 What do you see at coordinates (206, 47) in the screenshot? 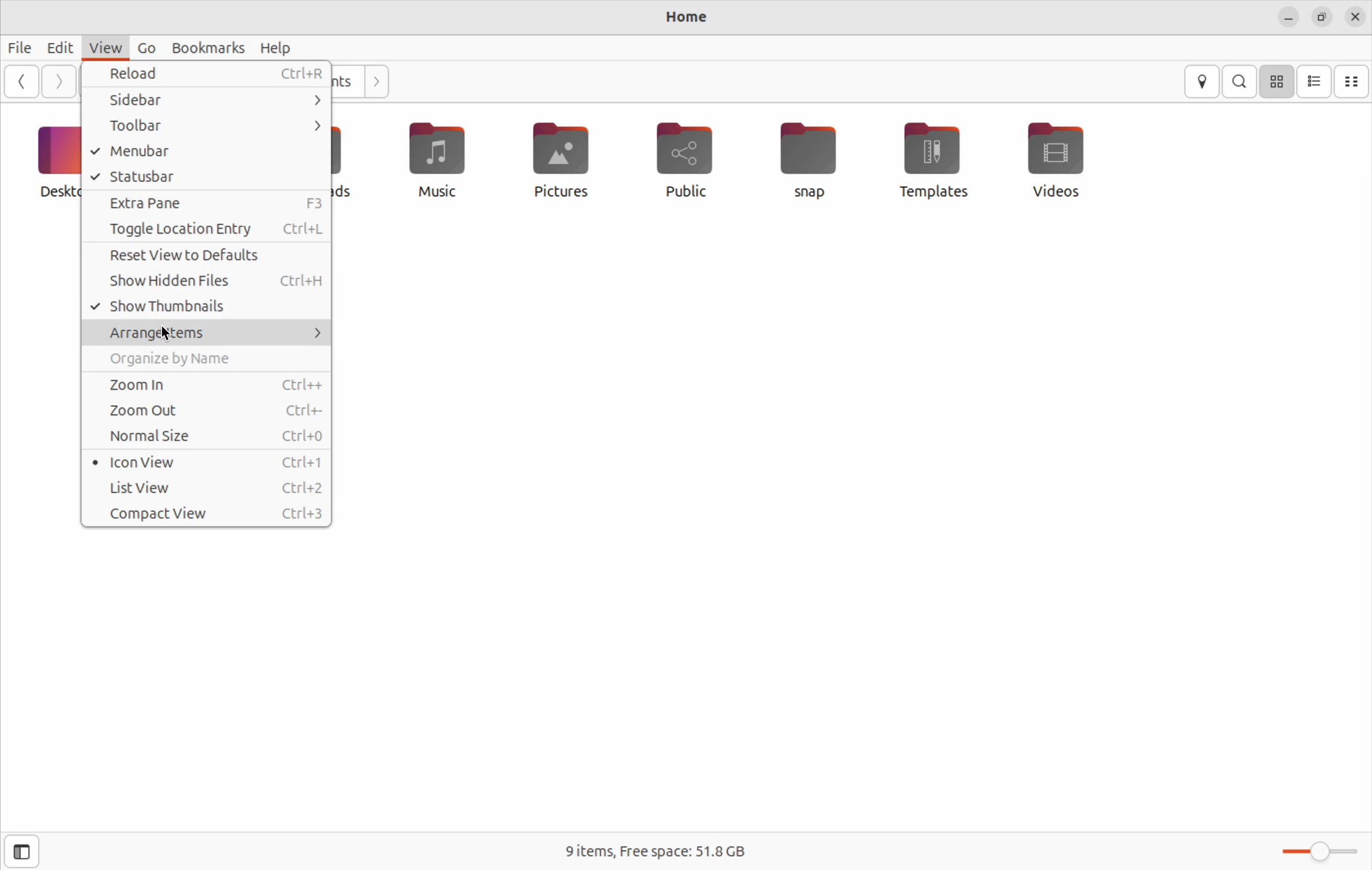
I see `bookmark` at bounding box center [206, 47].